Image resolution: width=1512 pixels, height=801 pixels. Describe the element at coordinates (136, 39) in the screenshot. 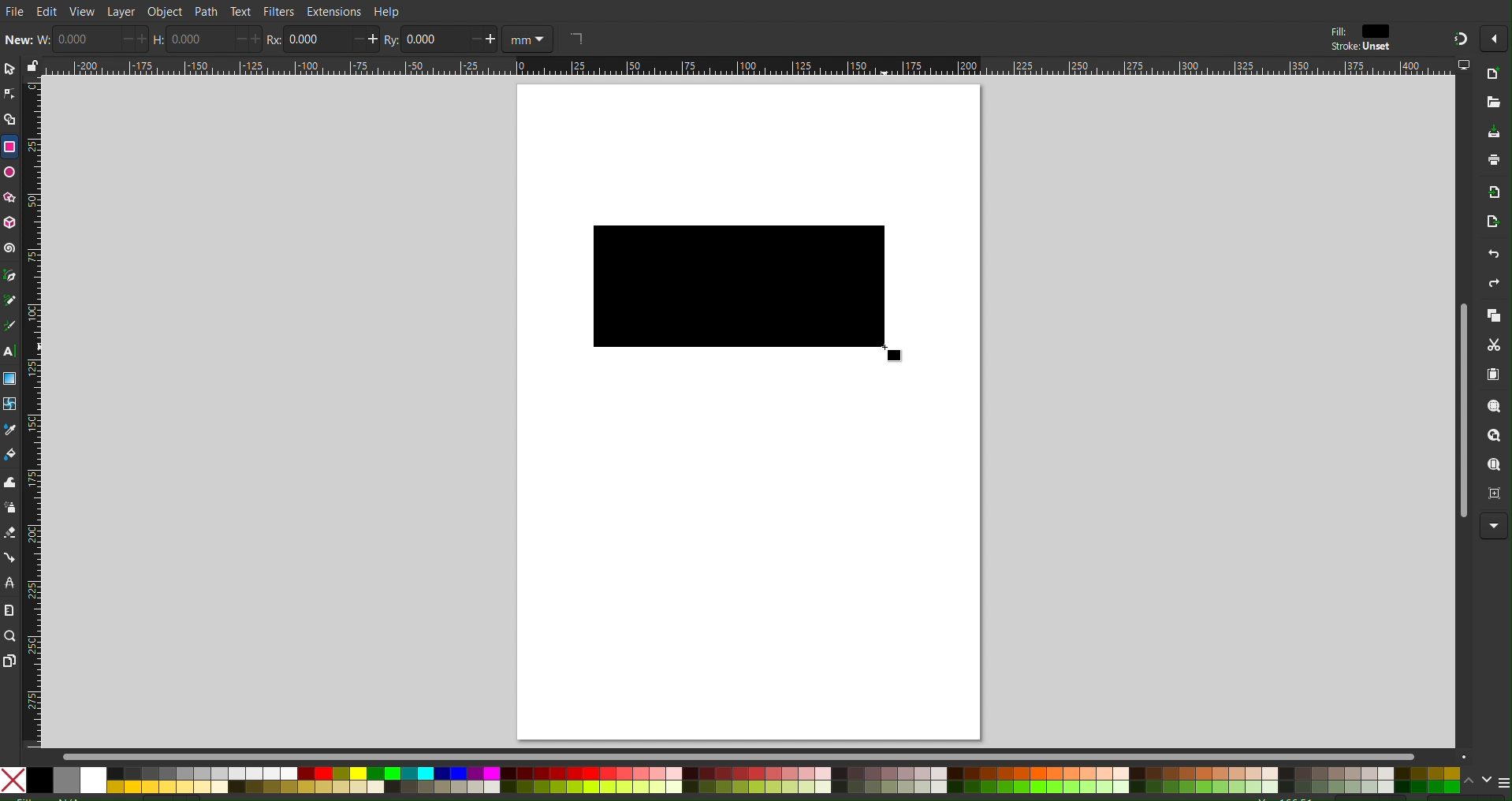

I see `increase/decrease` at that location.